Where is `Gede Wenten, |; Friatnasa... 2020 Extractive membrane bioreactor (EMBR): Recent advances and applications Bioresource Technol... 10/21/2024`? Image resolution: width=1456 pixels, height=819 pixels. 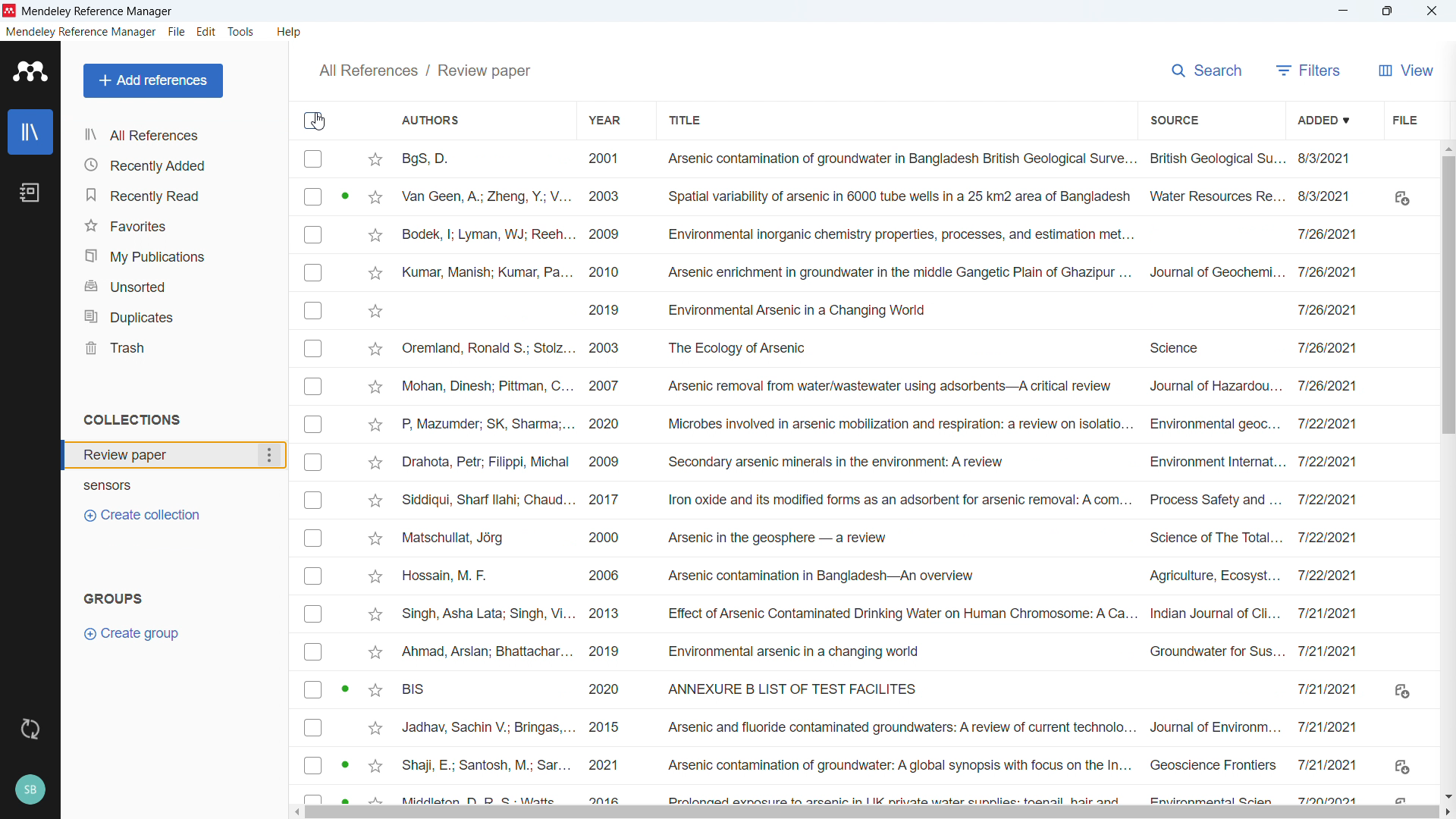 Gede Wenten, |; Friatnasa... 2020 Extractive membrane bioreactor (EMBR): Recent advances and applications Bioresource Technol... 10/21/2024 is located at coordinates (883, 764).